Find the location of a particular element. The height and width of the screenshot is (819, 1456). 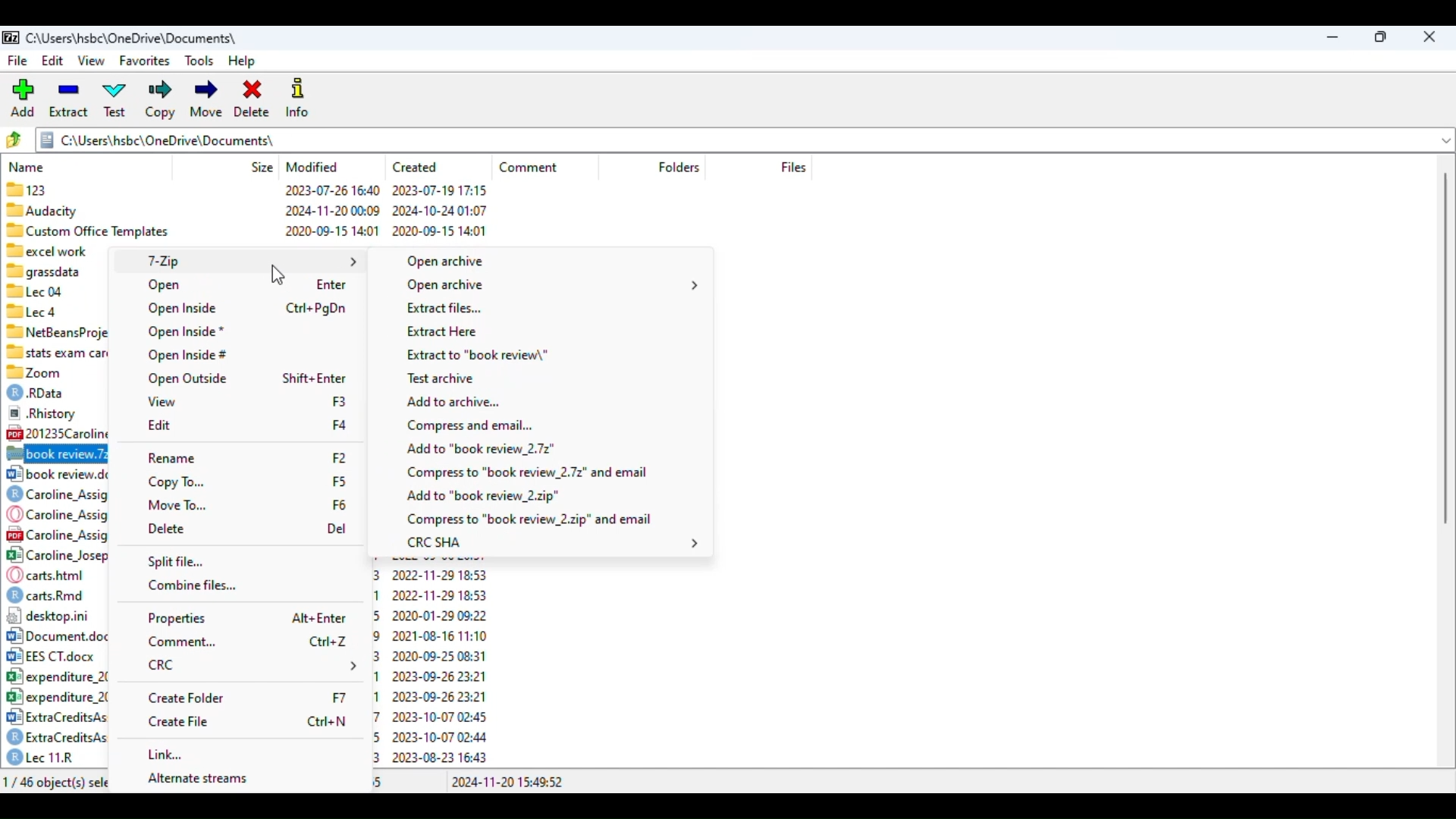

help is located at coordinates (242, 62).